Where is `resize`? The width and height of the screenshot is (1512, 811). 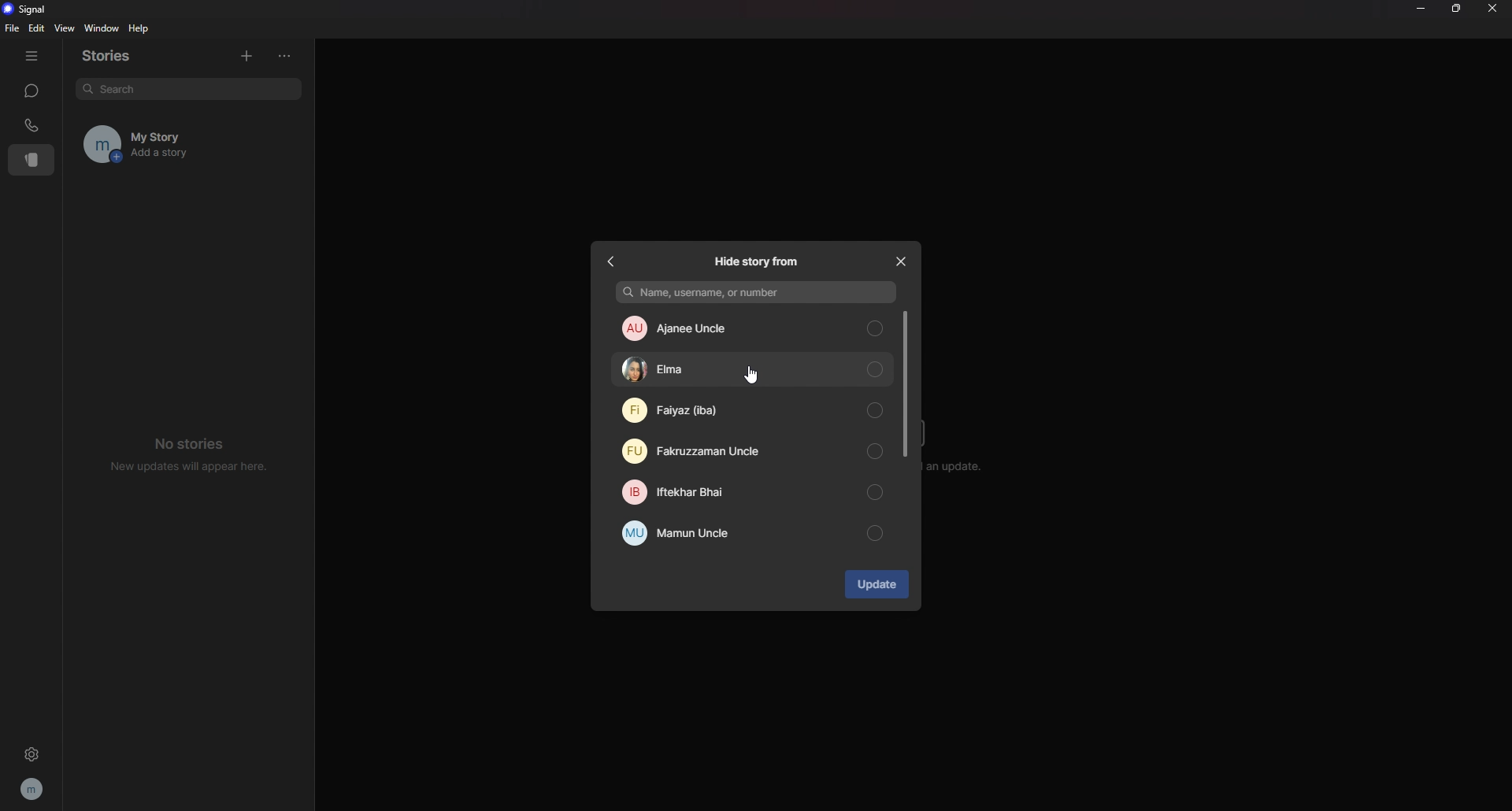
resize is located at coordinates (1458, 9).